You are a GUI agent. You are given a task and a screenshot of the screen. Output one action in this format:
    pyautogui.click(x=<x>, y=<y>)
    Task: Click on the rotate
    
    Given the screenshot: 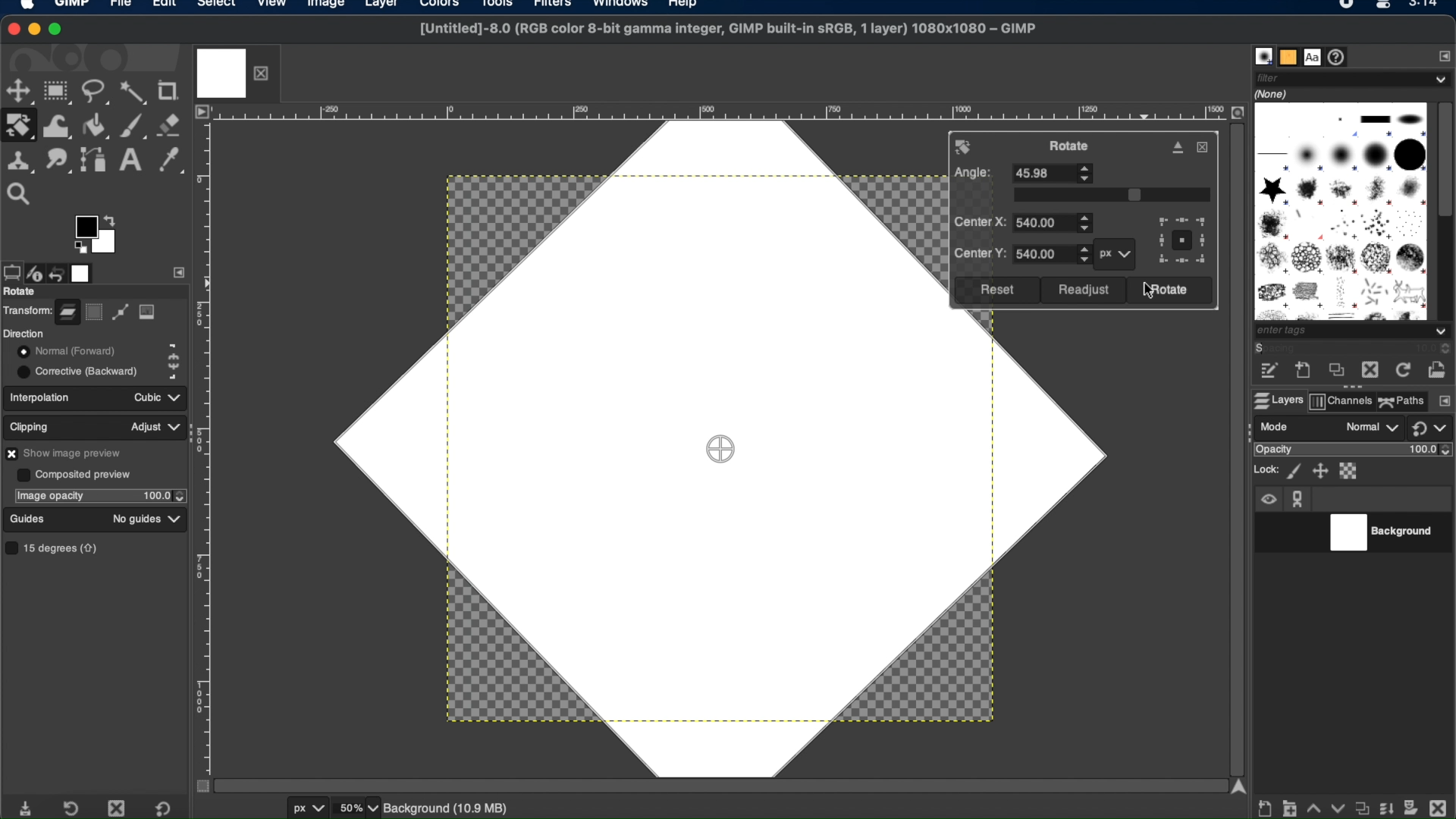 What is the action you would take?
    pyautogui.click(x=1169, y=290)
    